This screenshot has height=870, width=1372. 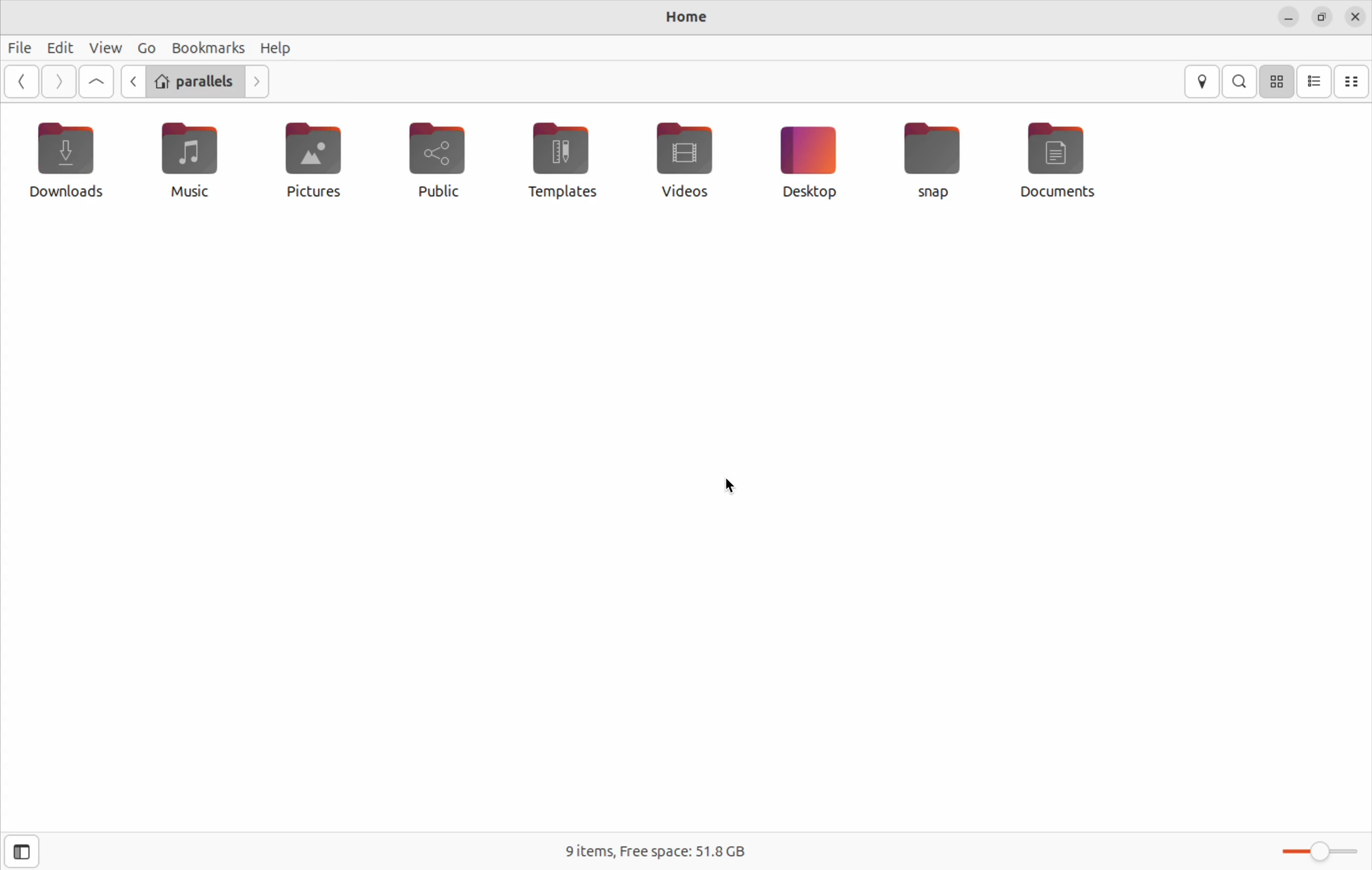 What do you see at coordinates (1052, 157) in the screenshot?
I see `documents` at bounding box center [1052, 157].